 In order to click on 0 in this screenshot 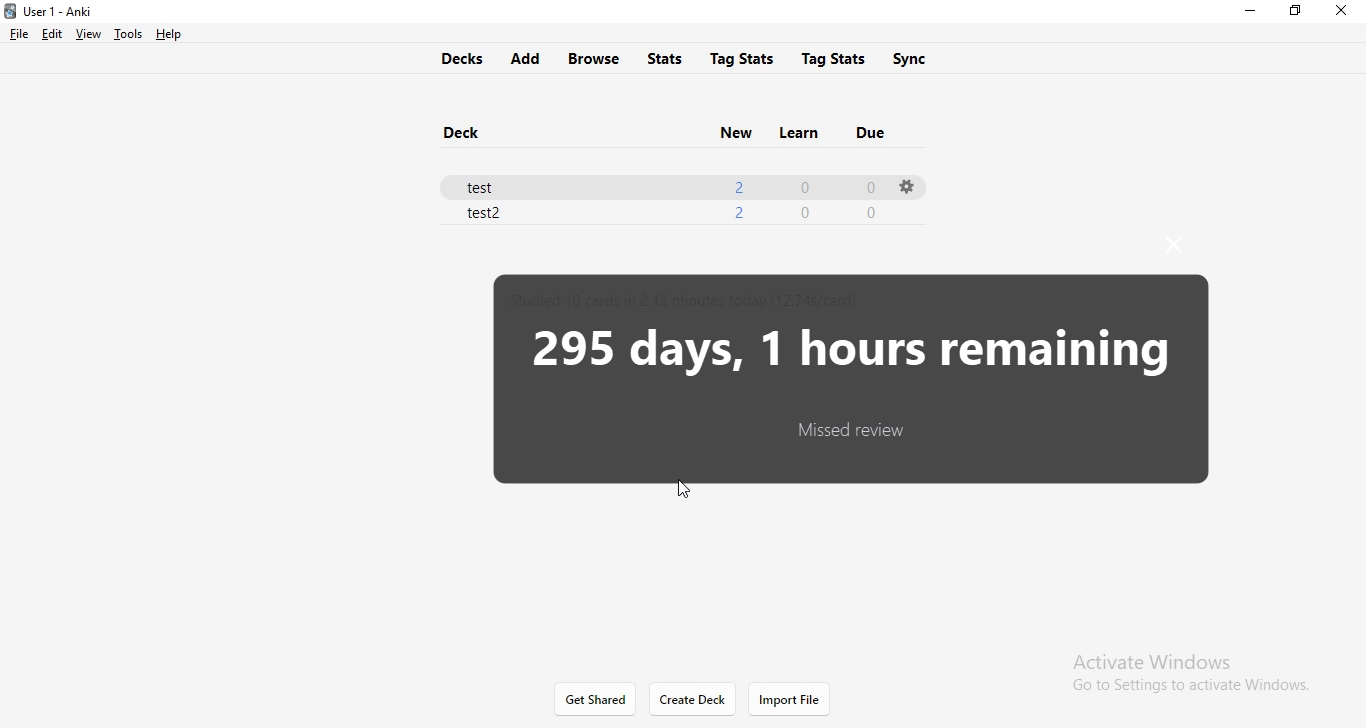, I will do `click(806, 215)`.